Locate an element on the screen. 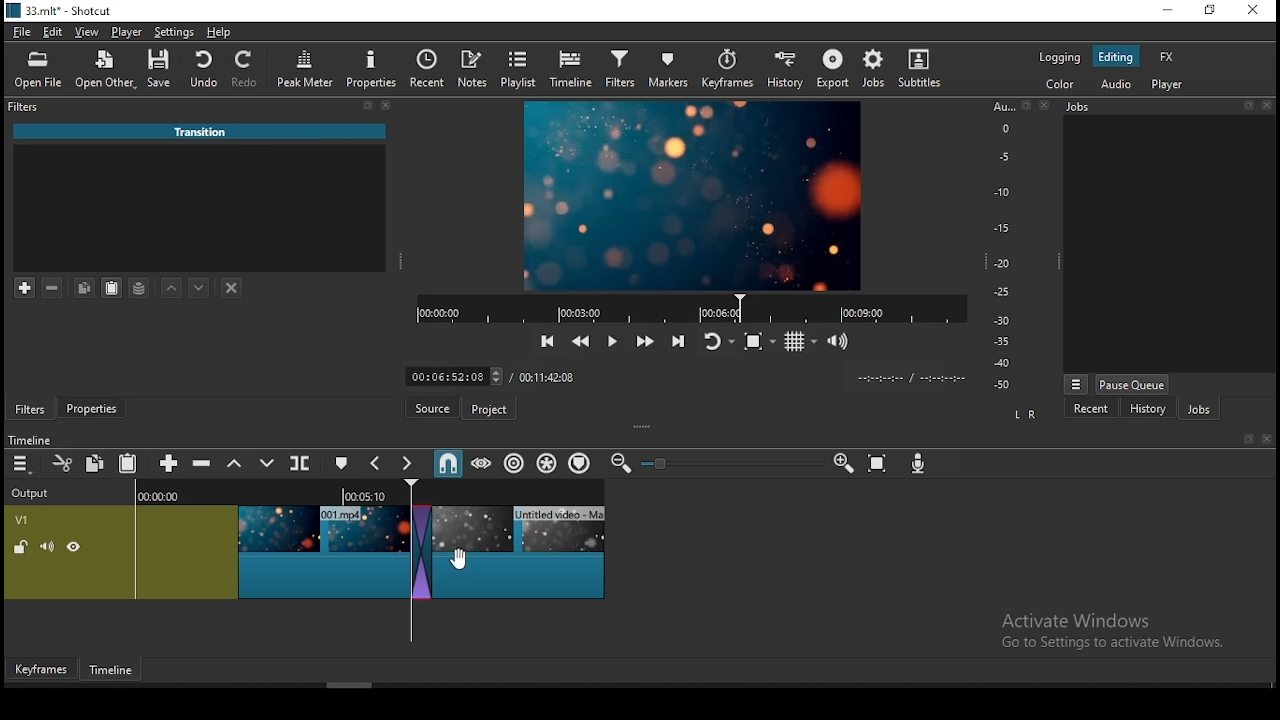 This screenshot has width=1280, height=720. undo is located at coordinates (206, 70).